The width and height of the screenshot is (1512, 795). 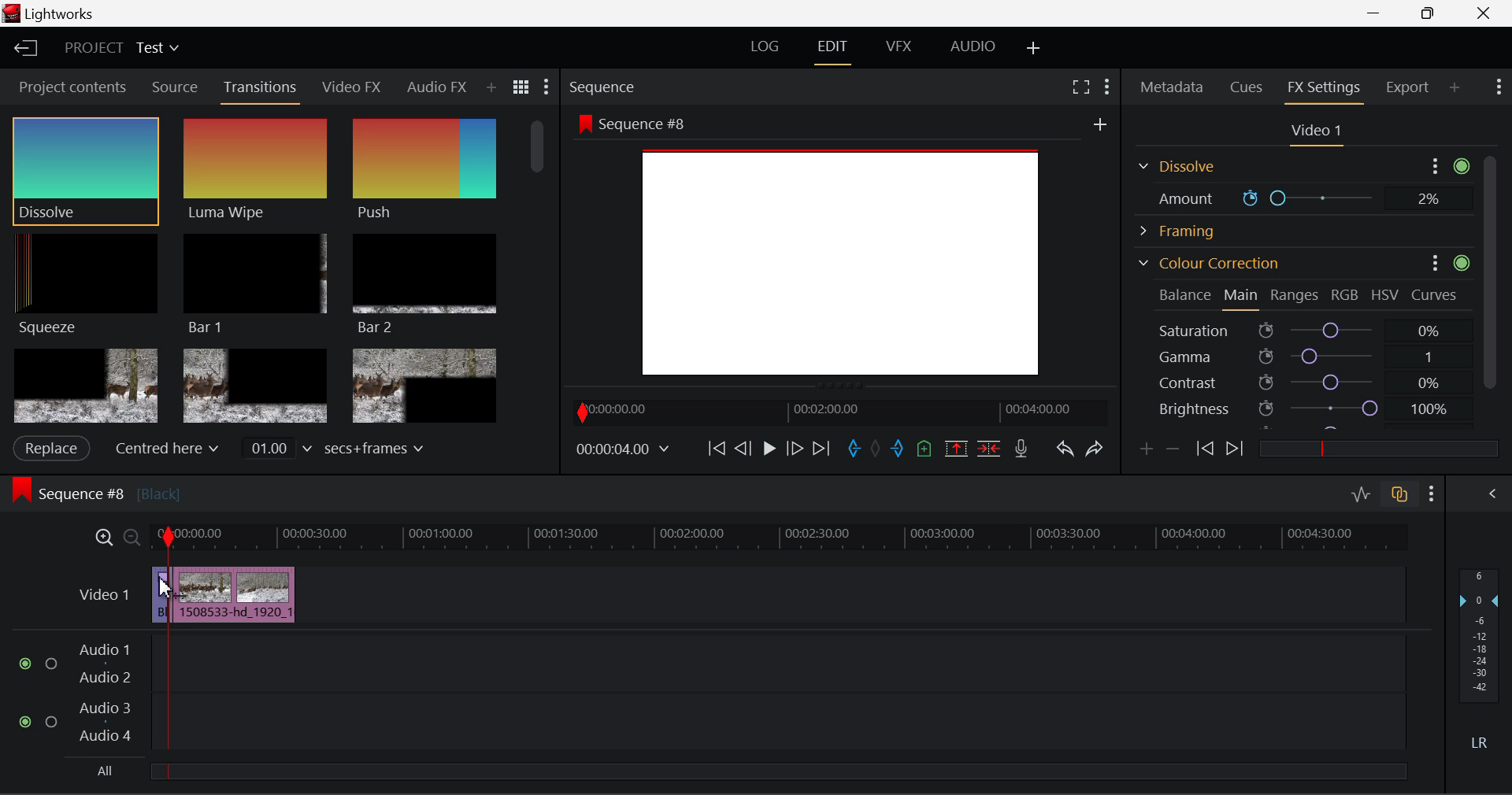 I want to click on Gamma, so click(x=1303, y=357).